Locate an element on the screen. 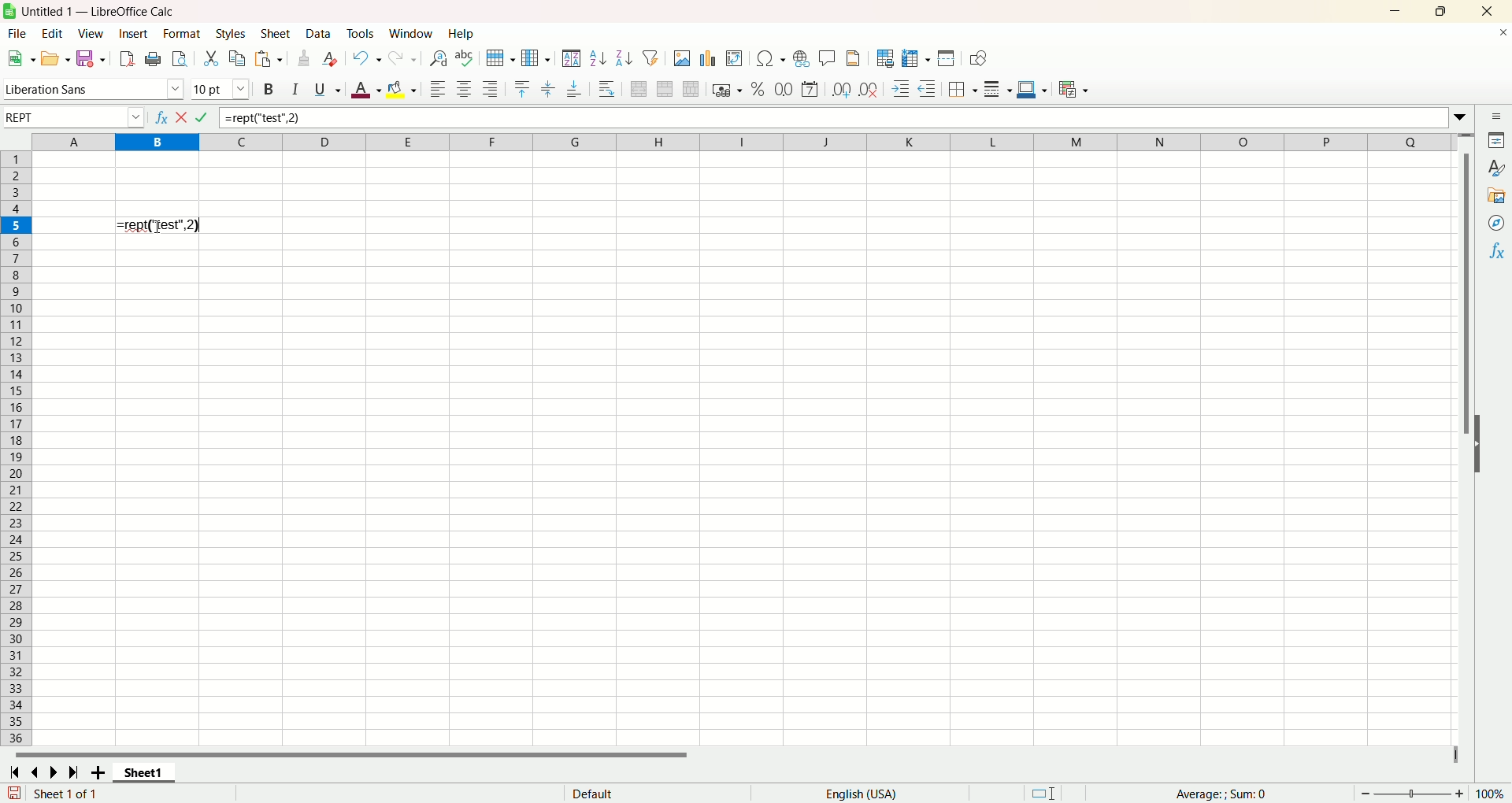 This screenshot has height=803, width=1512. font color is located at coordinates (365, 91).